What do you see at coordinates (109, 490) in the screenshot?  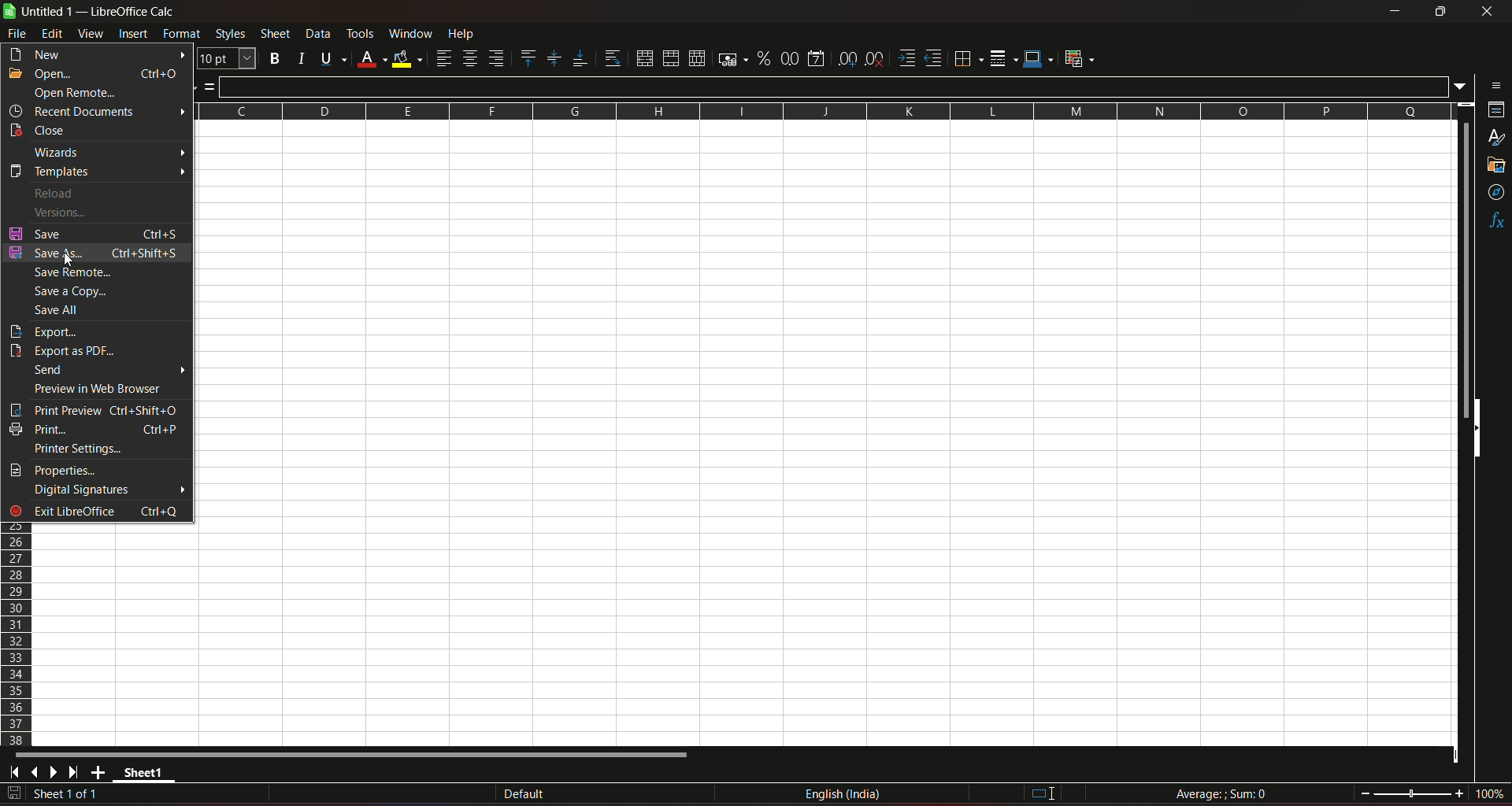 I see `digital signatures` at bounding box center [109, 490].